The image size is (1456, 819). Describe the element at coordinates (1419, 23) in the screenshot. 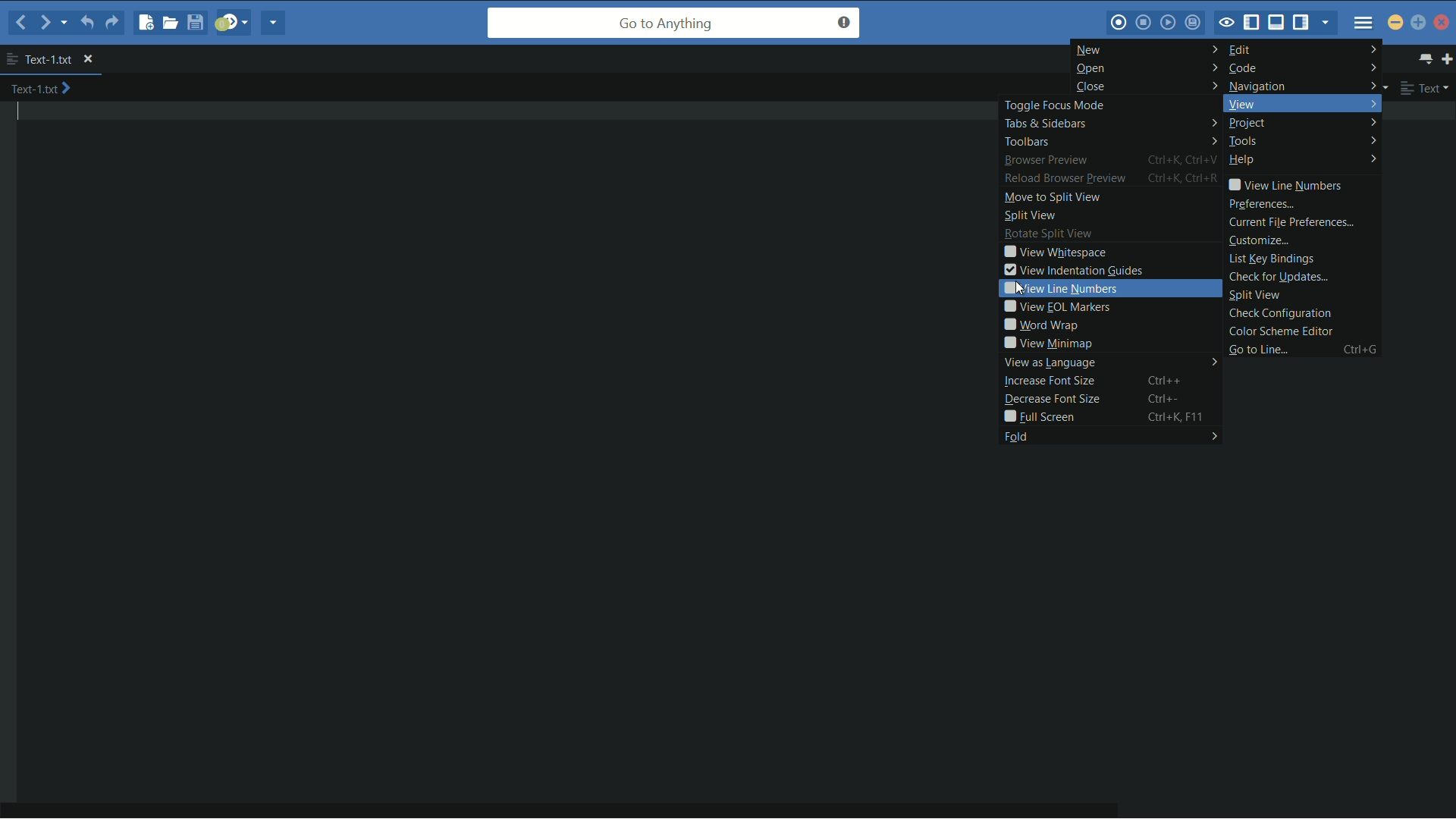

I see `maximize` at that location.